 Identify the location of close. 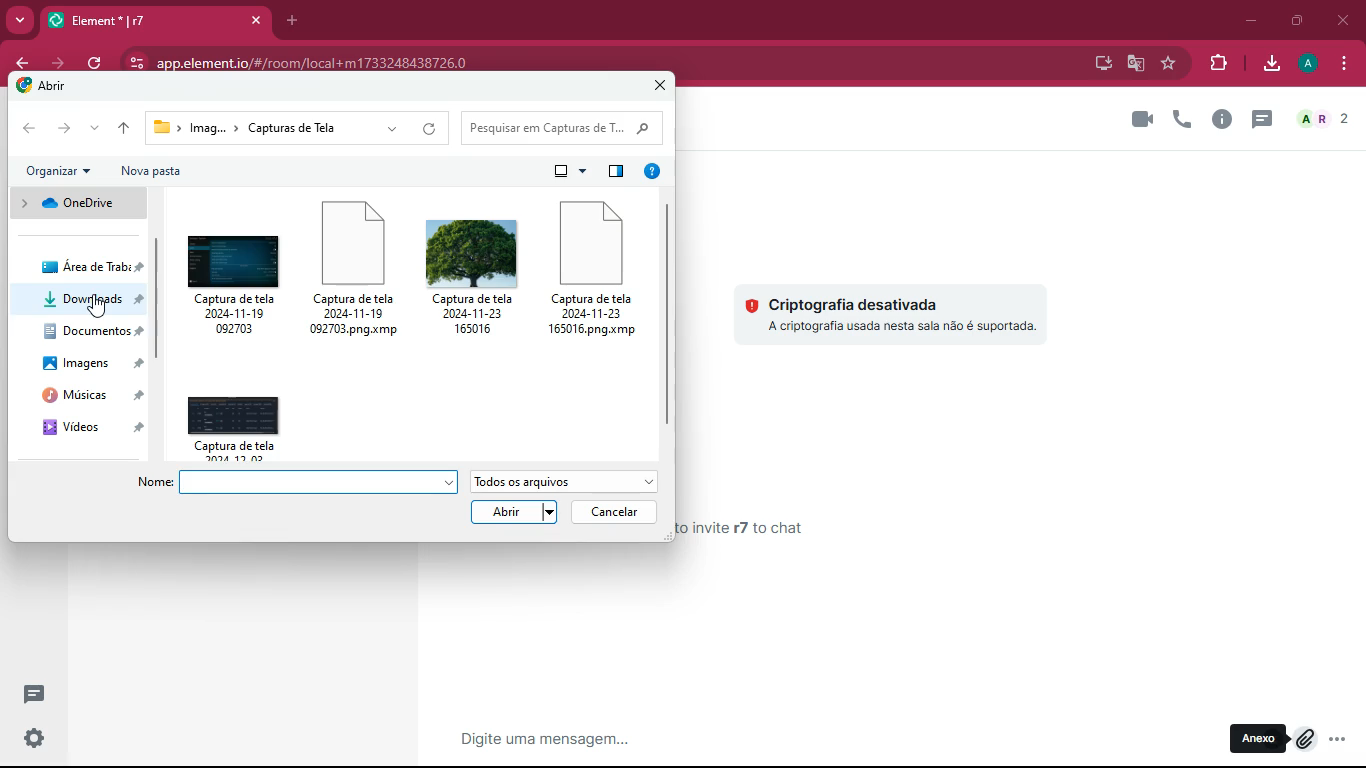
(663, 84).